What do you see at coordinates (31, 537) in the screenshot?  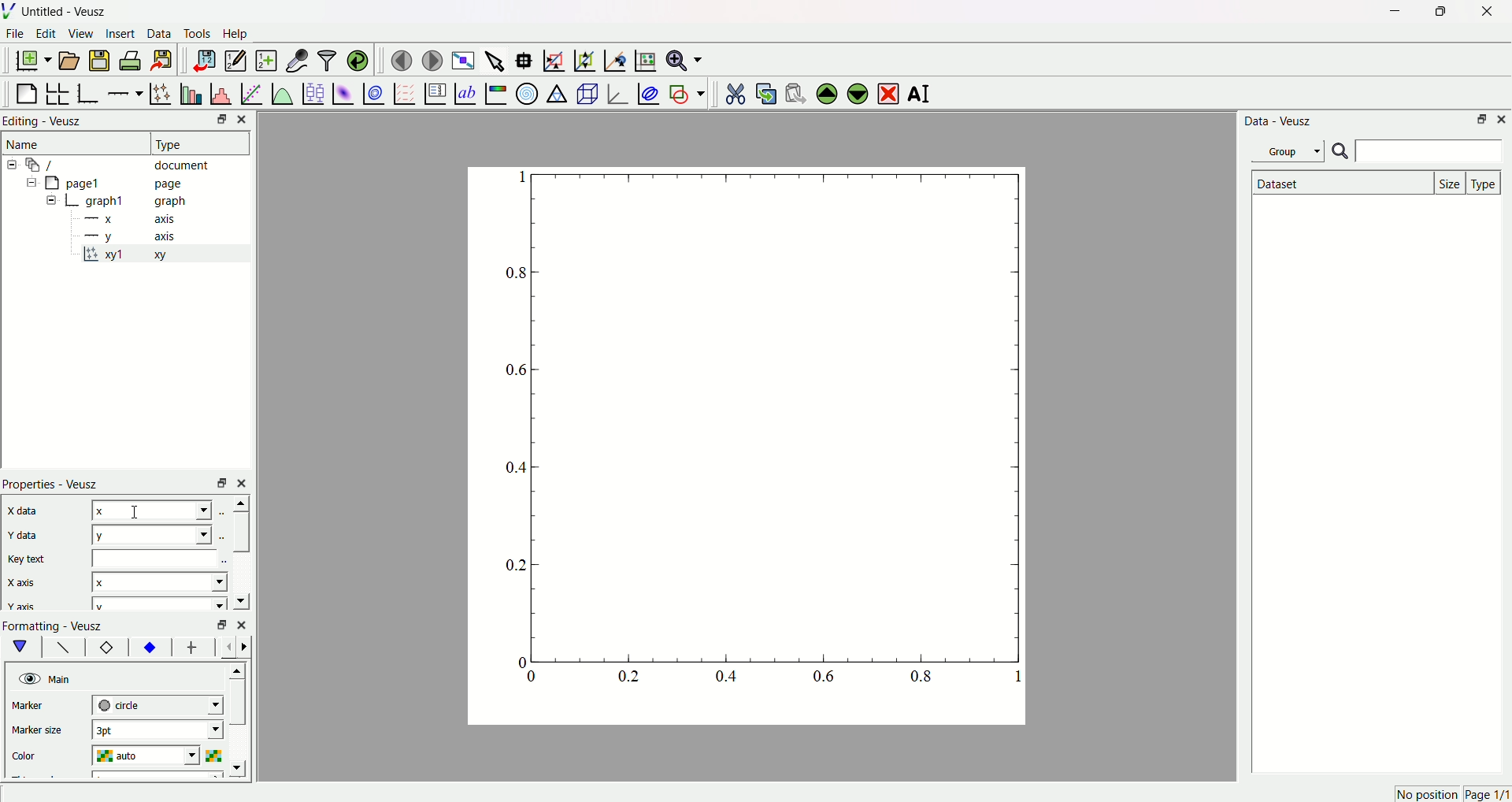 I see `Y data` at bounding box center [31, 537].